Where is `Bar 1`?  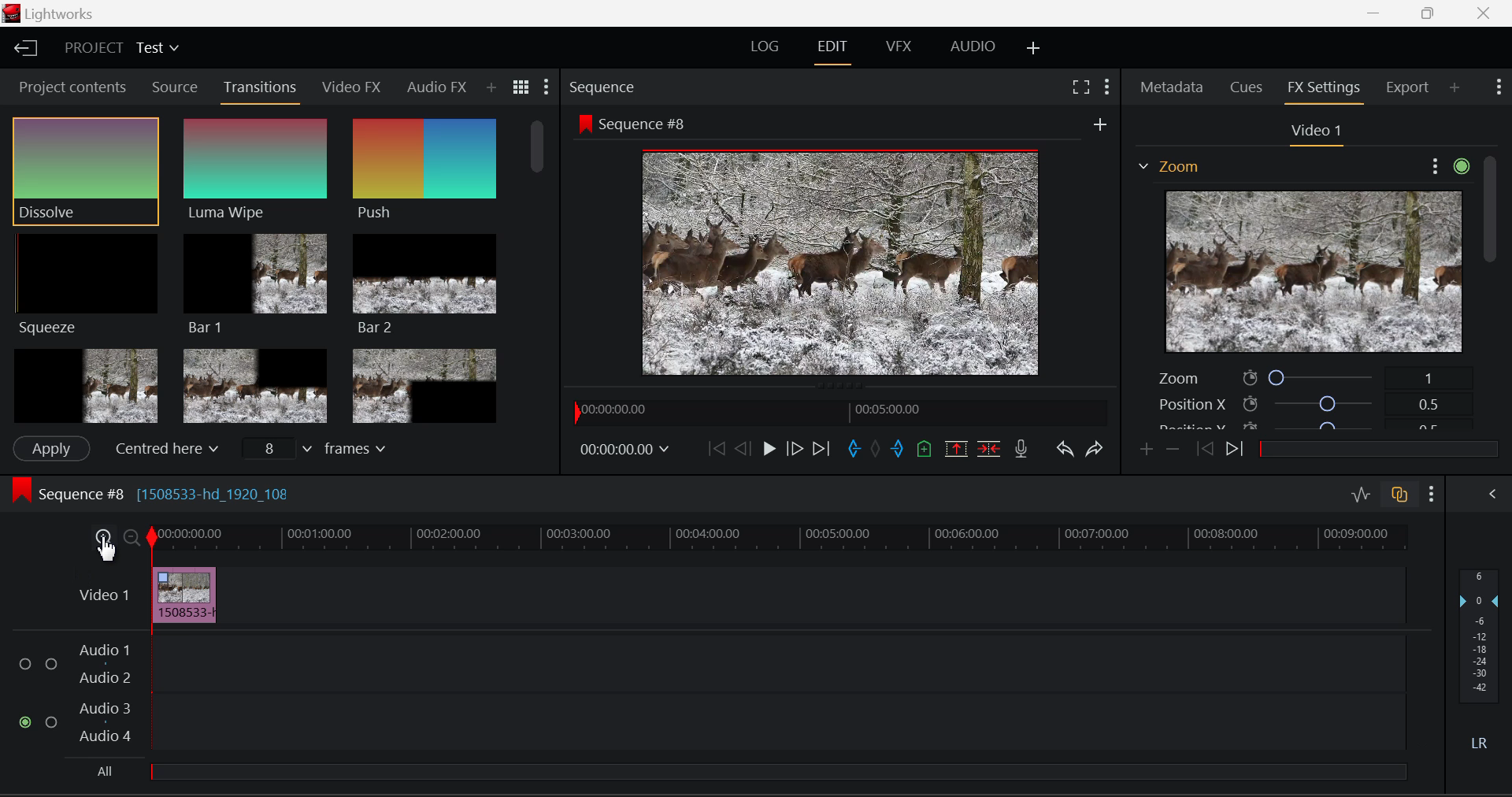
Bar 1 is located at coordinates (255, 283).